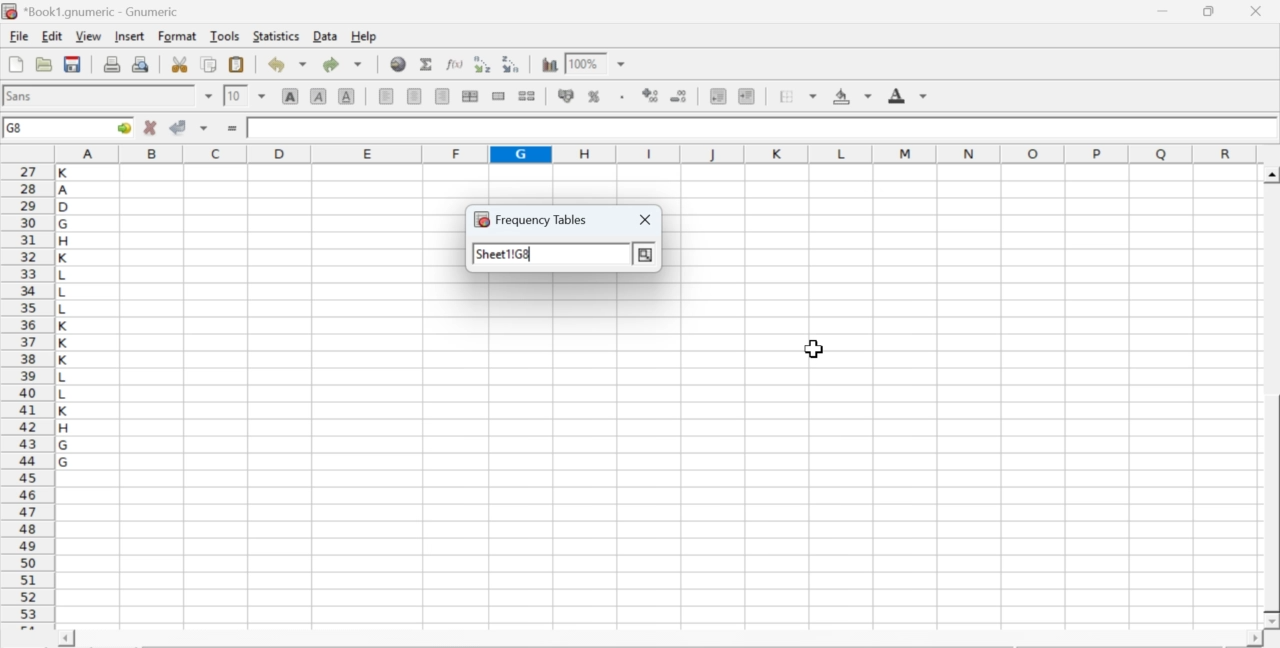  What do you see at coordinates (566, 95) in the screenshot?
I see `format selection as accounting` at bounding box center [566, 95].